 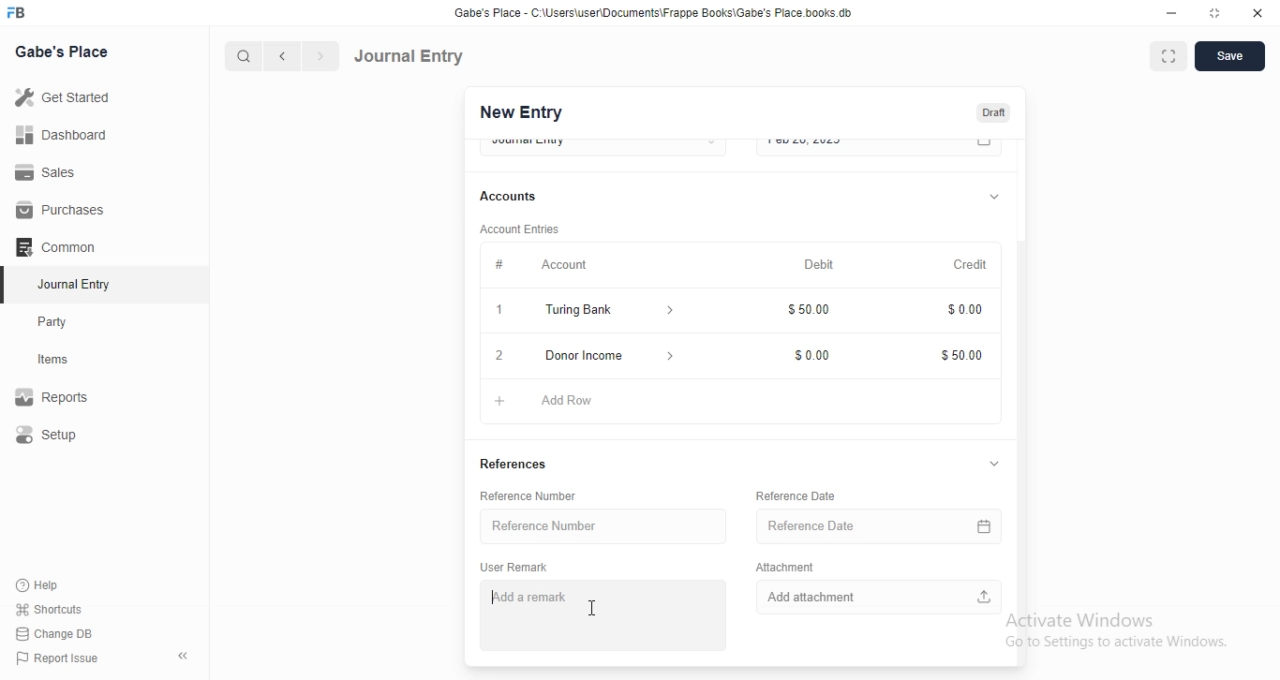 What do you see at coordinates (654, 13) in the screenshot?
I see `Gabe's Place - C\Users\userDocuments Frappe Books\Gabe's Place books db.` at bounding box center [654, 13].